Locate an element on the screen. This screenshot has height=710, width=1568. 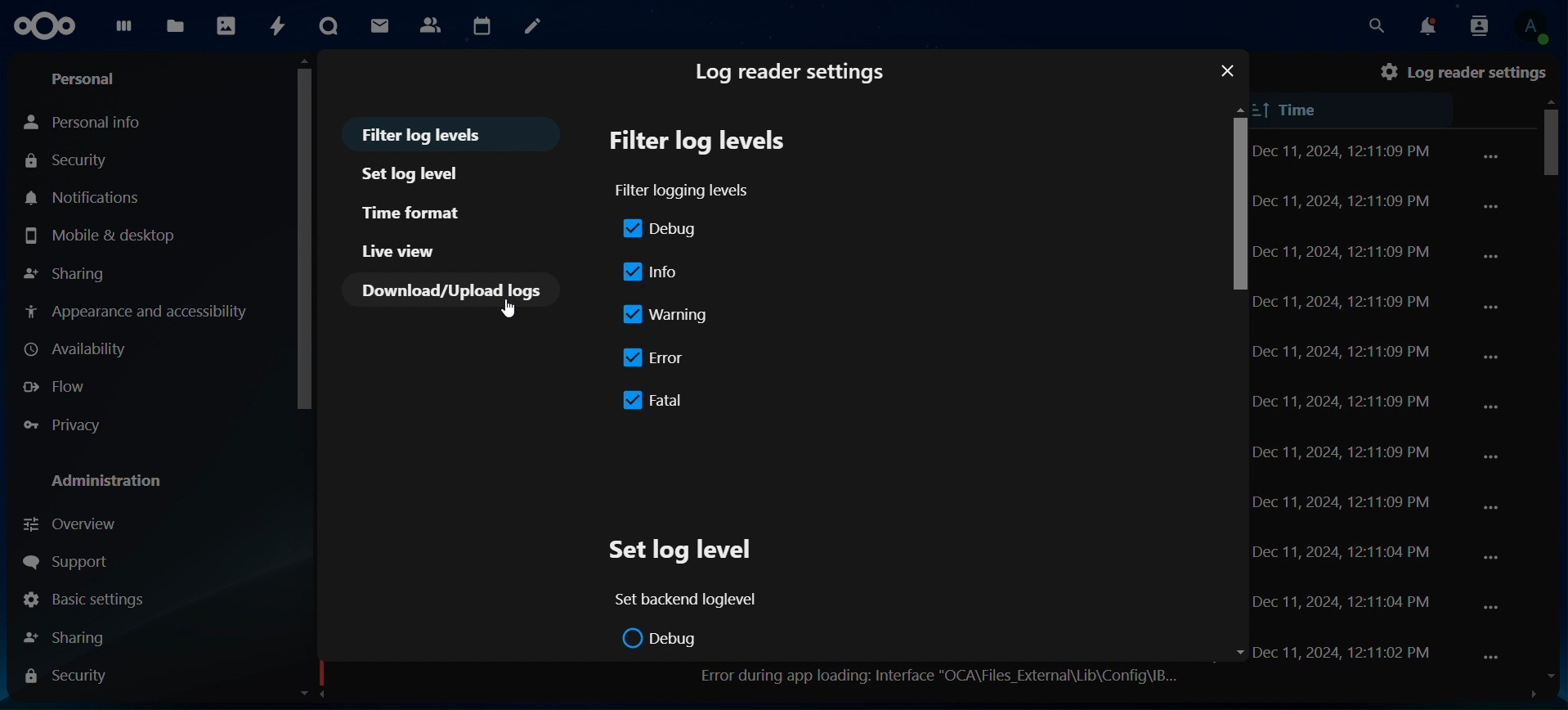
live view is located at coordinates (399, 250).